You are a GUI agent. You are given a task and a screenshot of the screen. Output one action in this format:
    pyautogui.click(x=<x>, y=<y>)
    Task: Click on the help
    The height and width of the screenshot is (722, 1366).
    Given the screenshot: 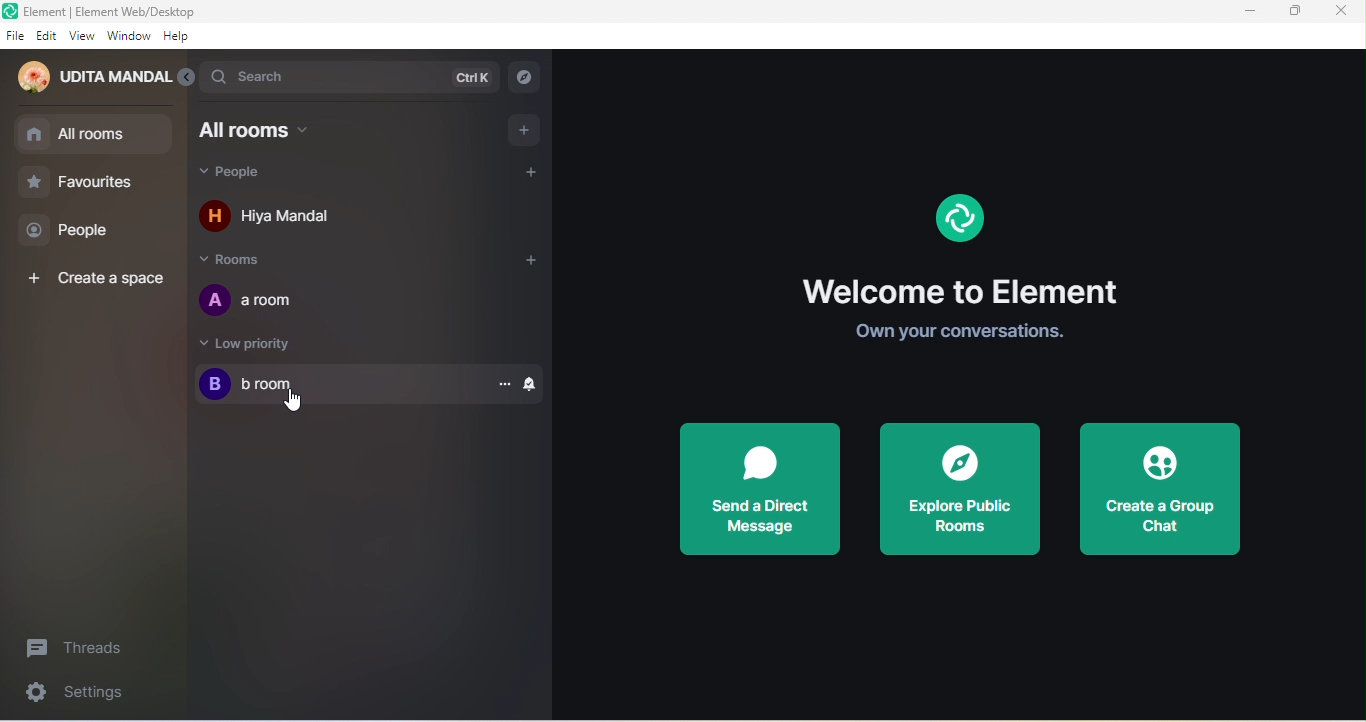 What is the action you would take?
    pyautogui.click(x=180, y=38)
    